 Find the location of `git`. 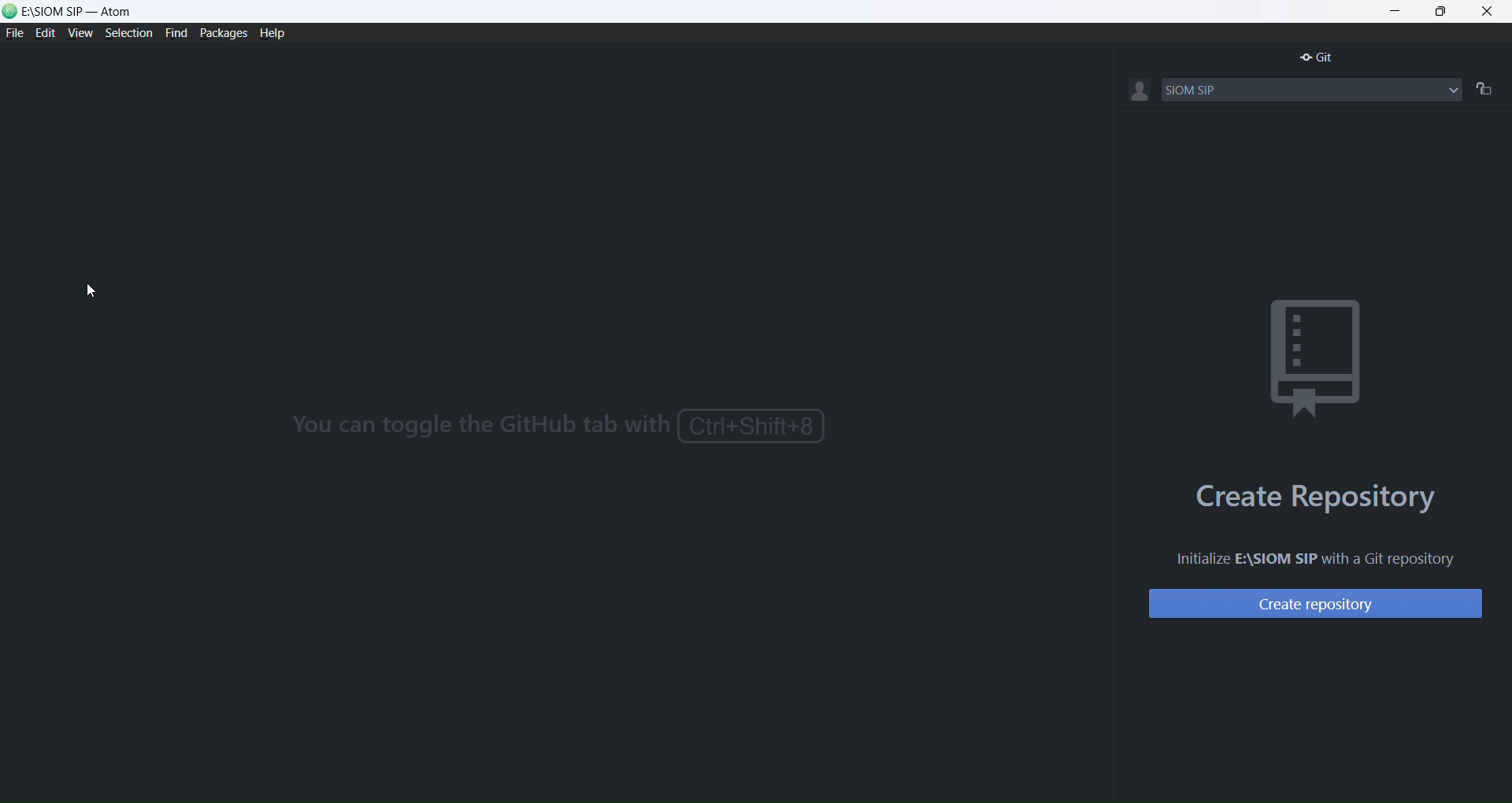

git is located at coordinates (1317, 59).